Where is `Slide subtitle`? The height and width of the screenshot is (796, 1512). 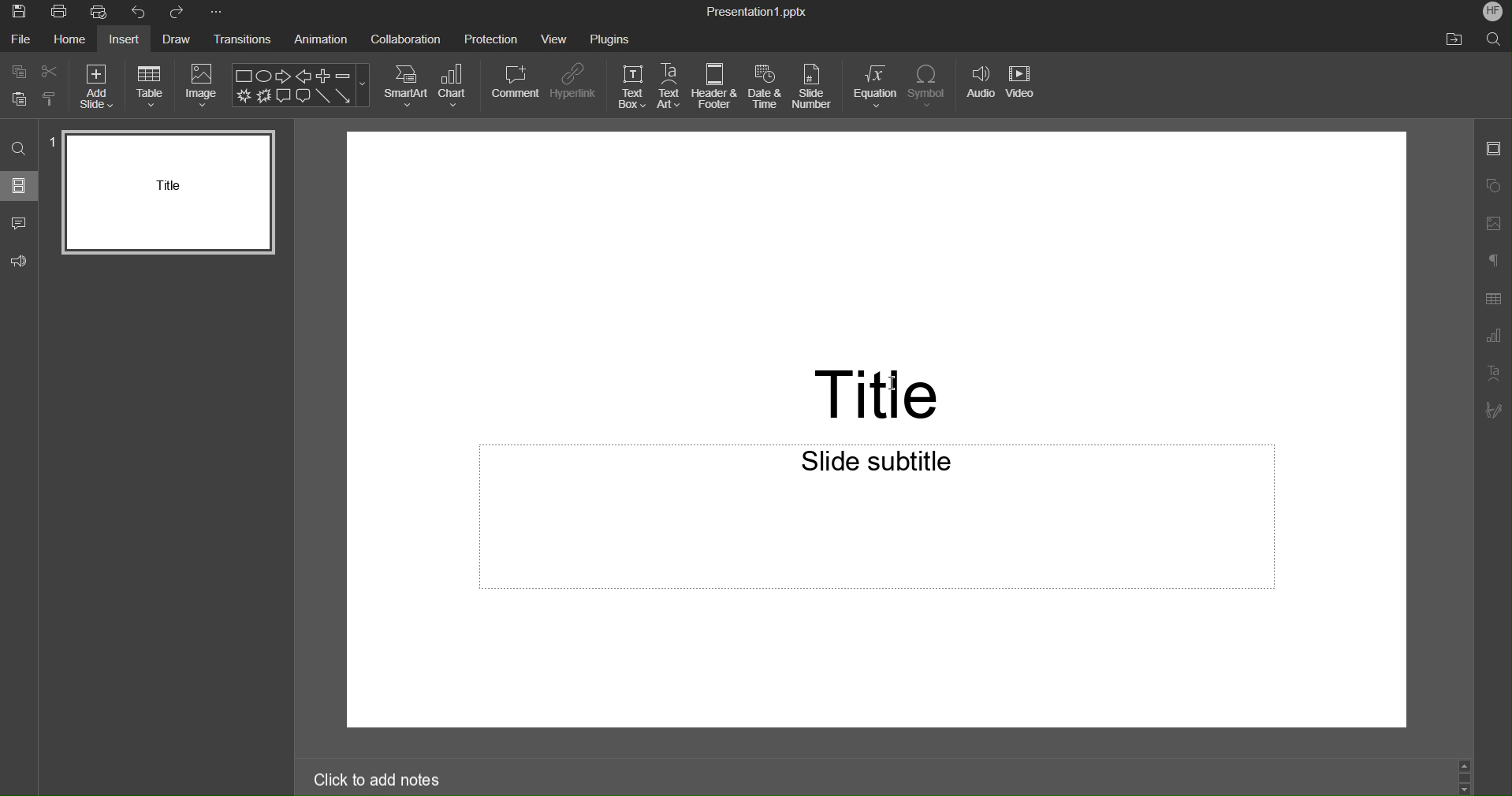
Slide subtitle is located at coordinates (874, 458).